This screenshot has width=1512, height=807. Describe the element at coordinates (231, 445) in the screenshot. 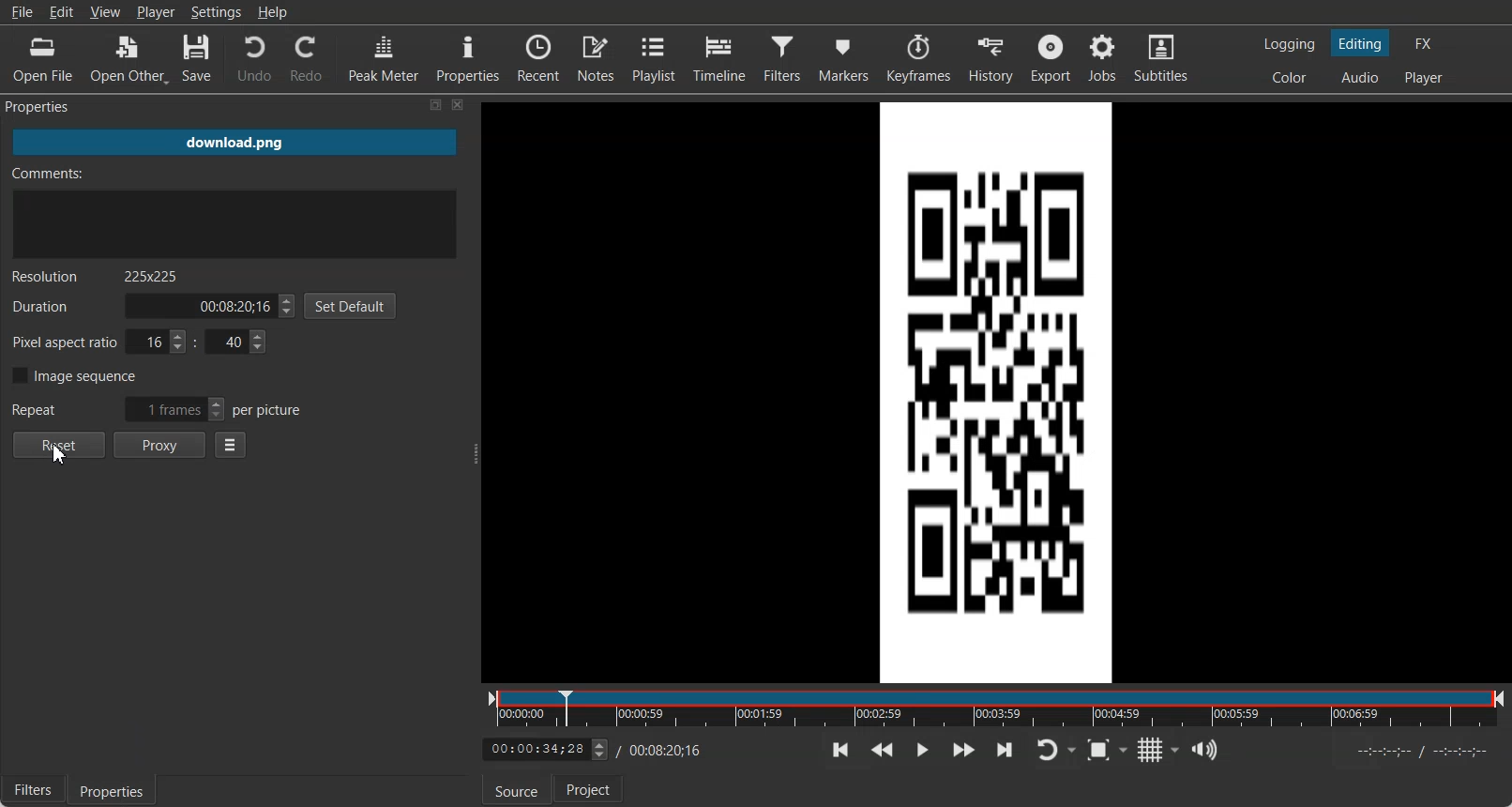

I see `Properties menu` at that location.